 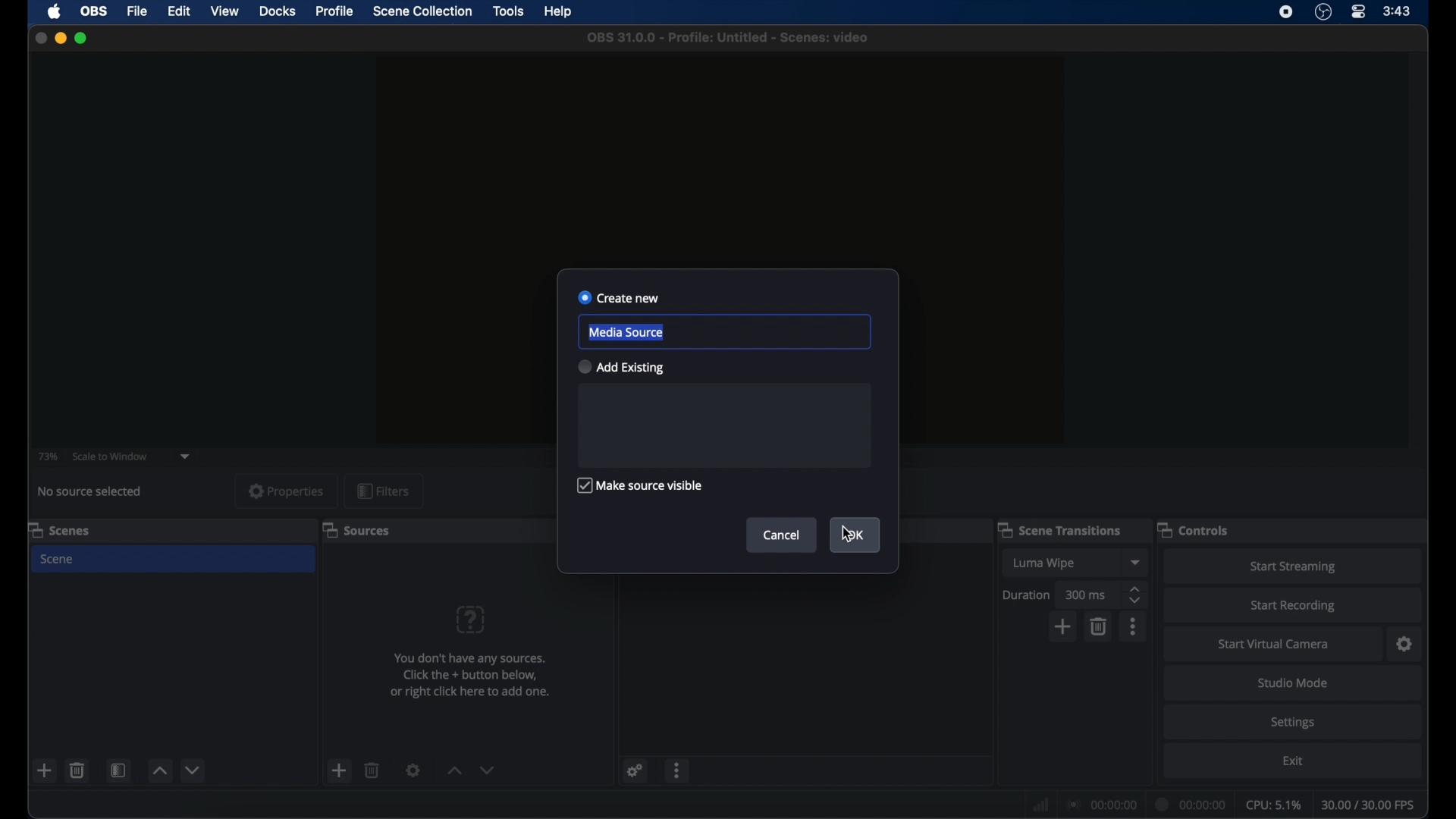 What do you see at coordinates (1404, 644) in the screenshot?
I see `settings` at bounding box center [1404, 644].